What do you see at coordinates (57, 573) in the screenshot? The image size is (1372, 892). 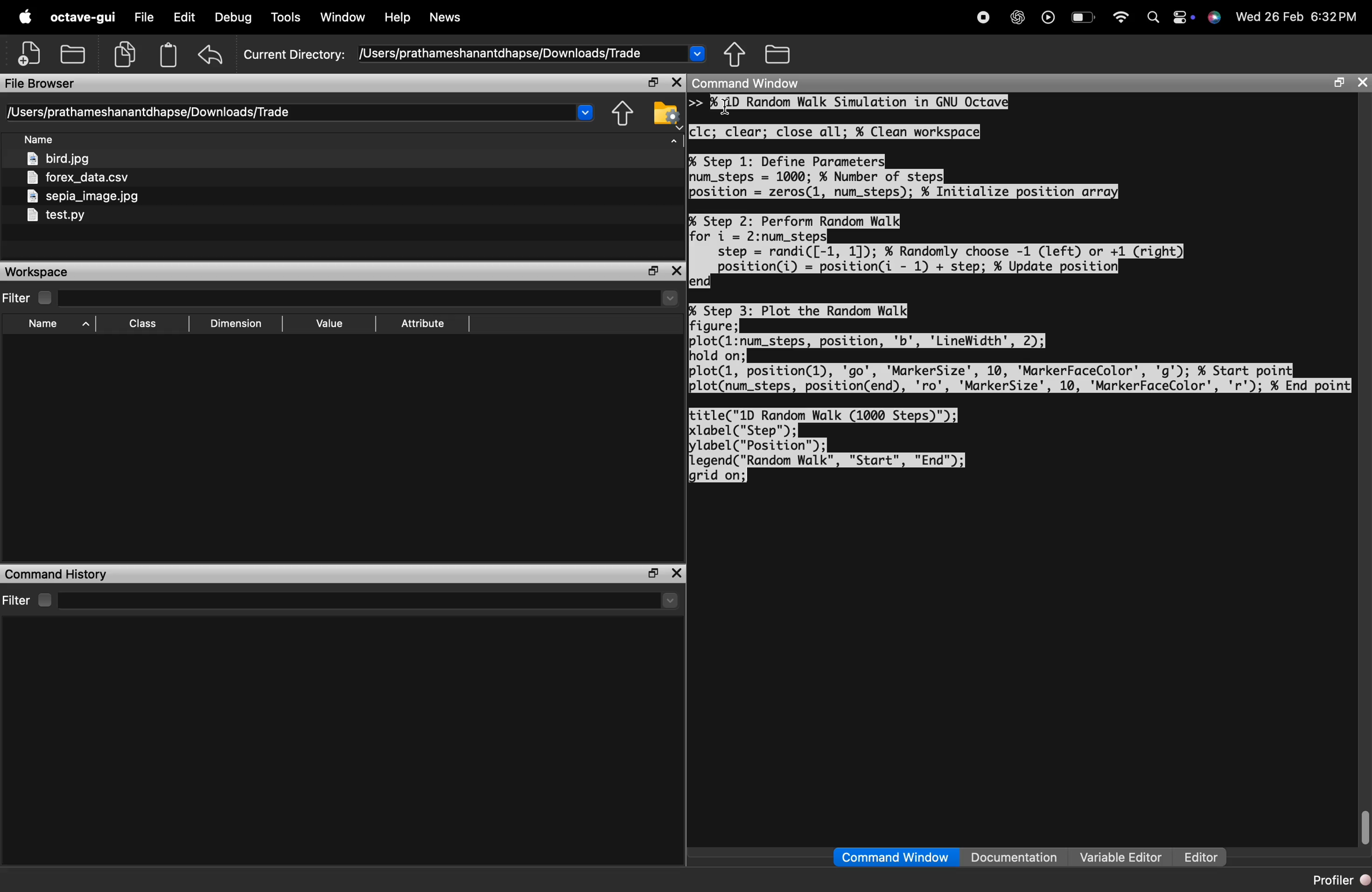 I see `command history` at bounding box center [57, 573].